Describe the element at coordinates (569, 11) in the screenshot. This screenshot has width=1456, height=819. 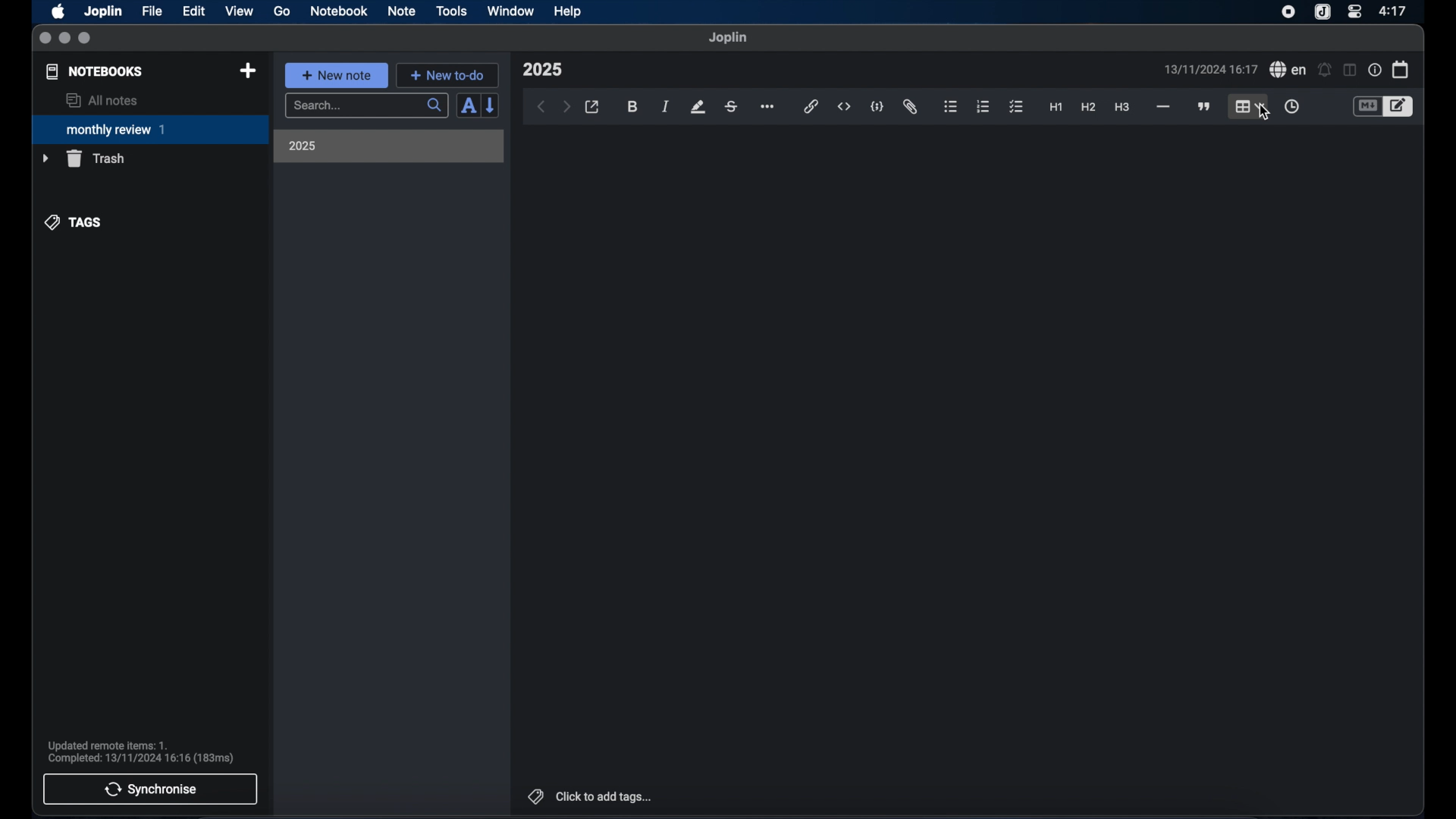
I see `help` at that location.